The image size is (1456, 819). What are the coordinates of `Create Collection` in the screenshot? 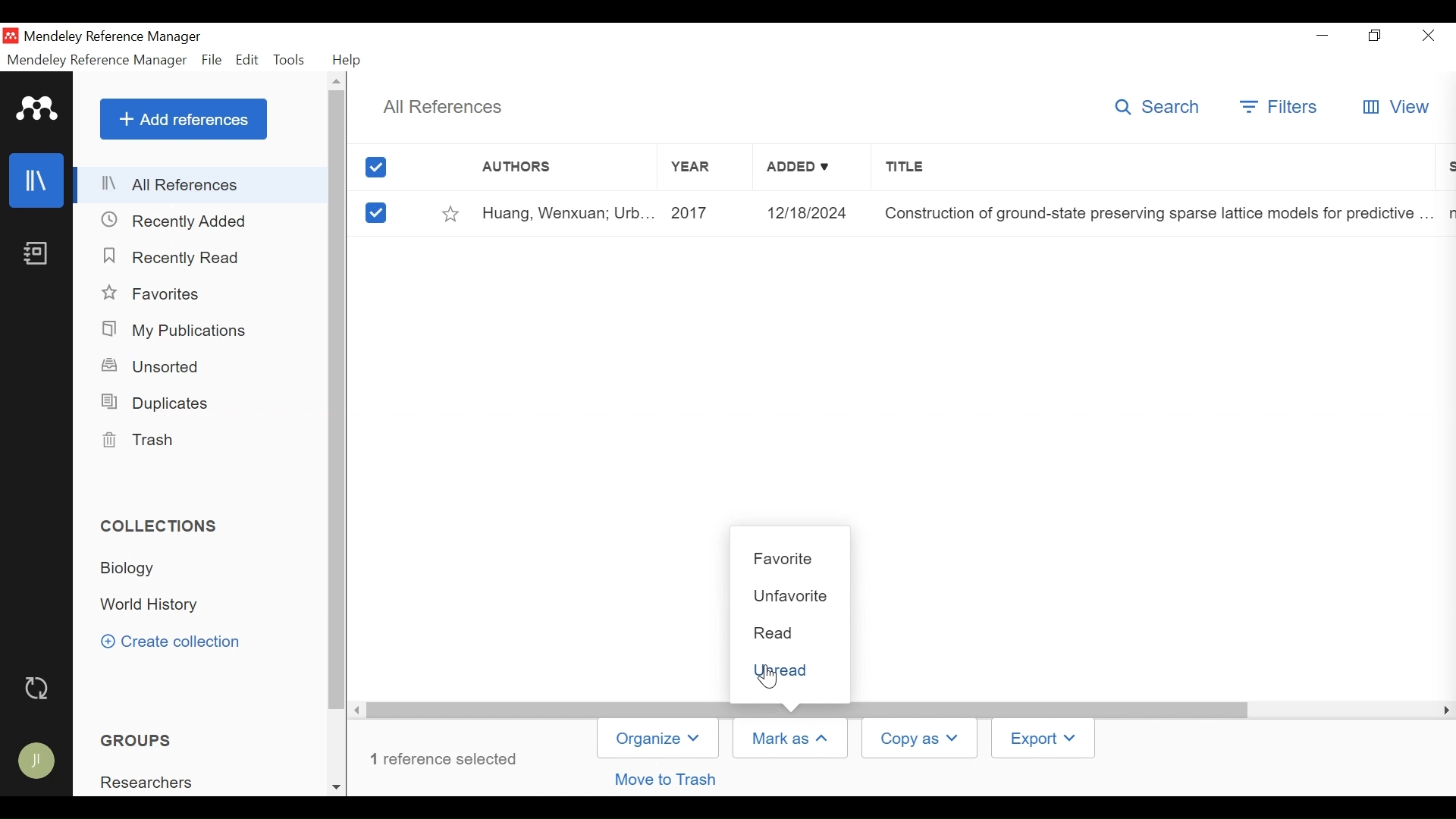 It's located at (180, 642).